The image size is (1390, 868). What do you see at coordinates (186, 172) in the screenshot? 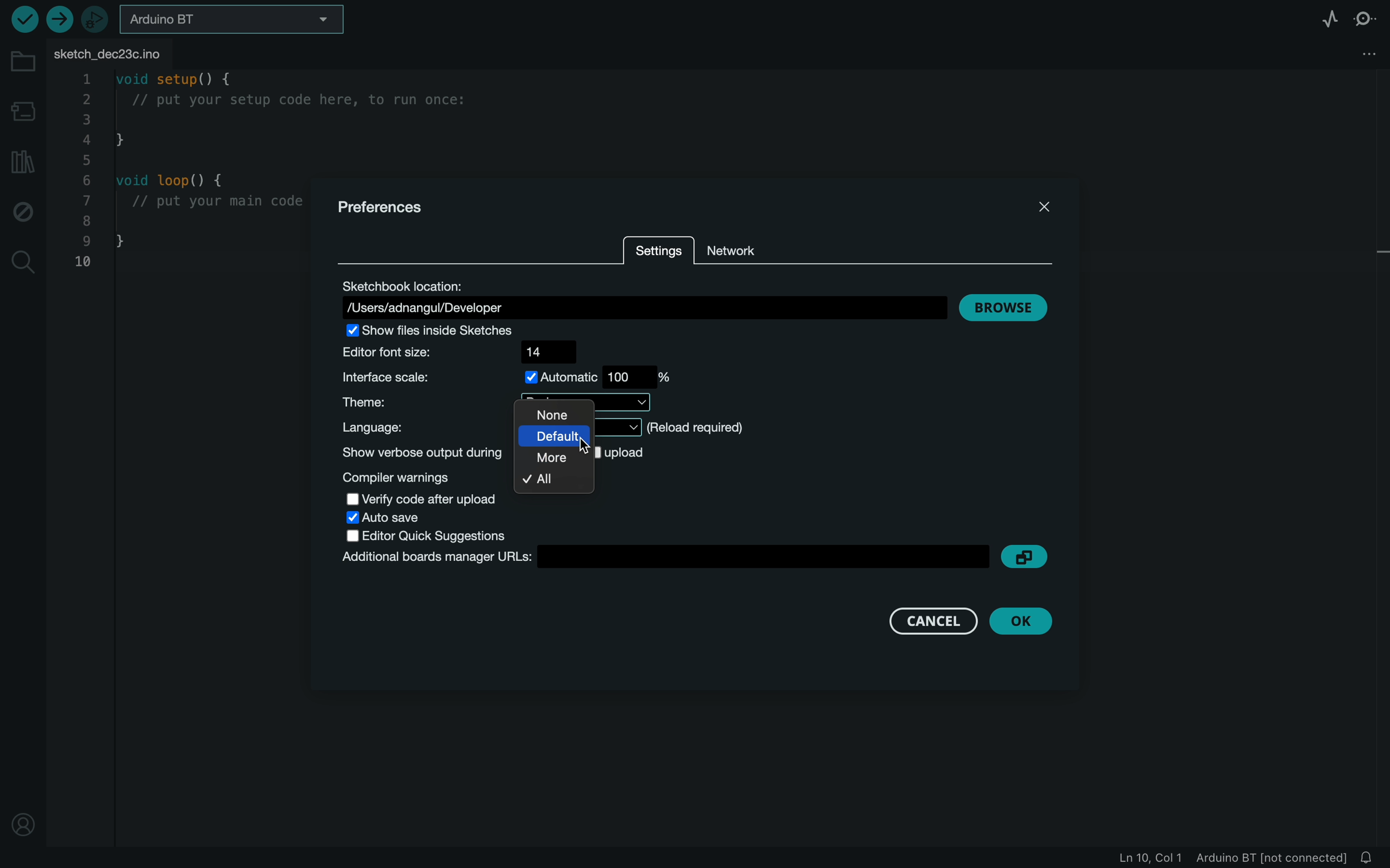
I see `code` at bounding box center [186, 172].